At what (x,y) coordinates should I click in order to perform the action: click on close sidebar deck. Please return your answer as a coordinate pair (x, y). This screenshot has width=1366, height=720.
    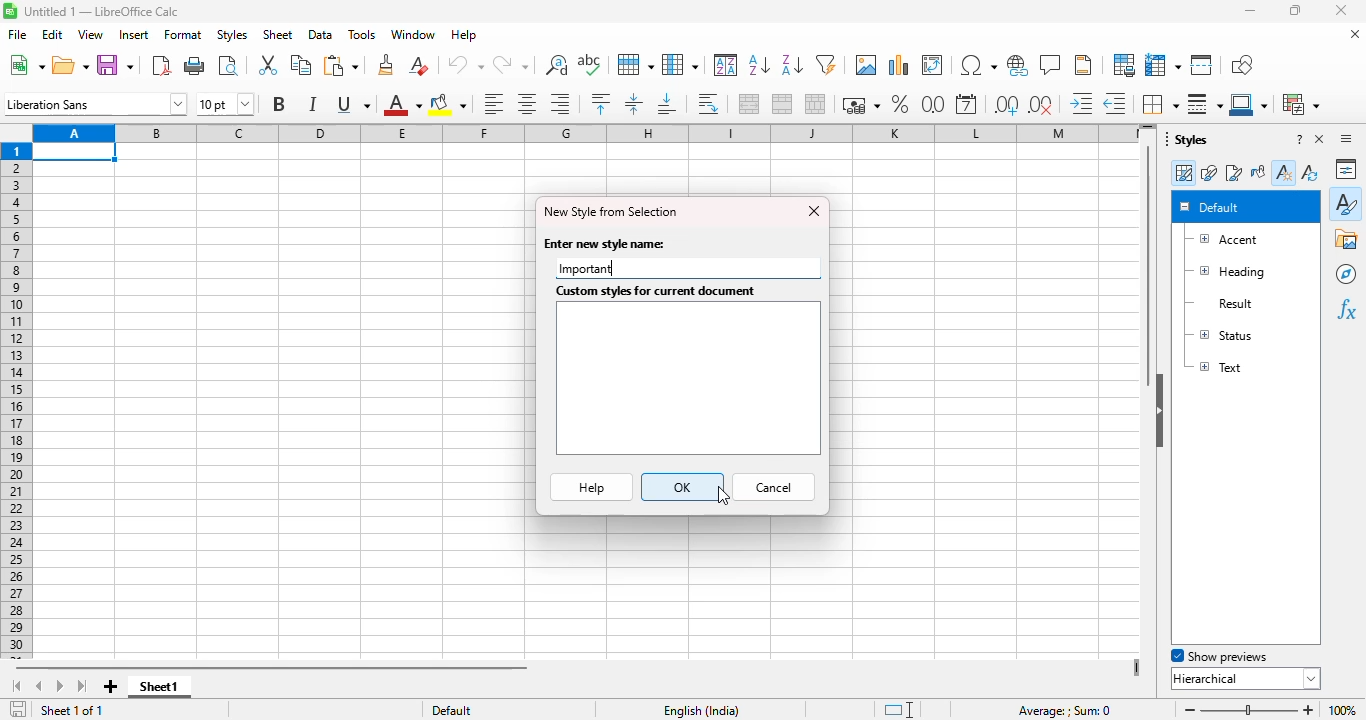
    Looking at the image, I should click on (1320, 138).